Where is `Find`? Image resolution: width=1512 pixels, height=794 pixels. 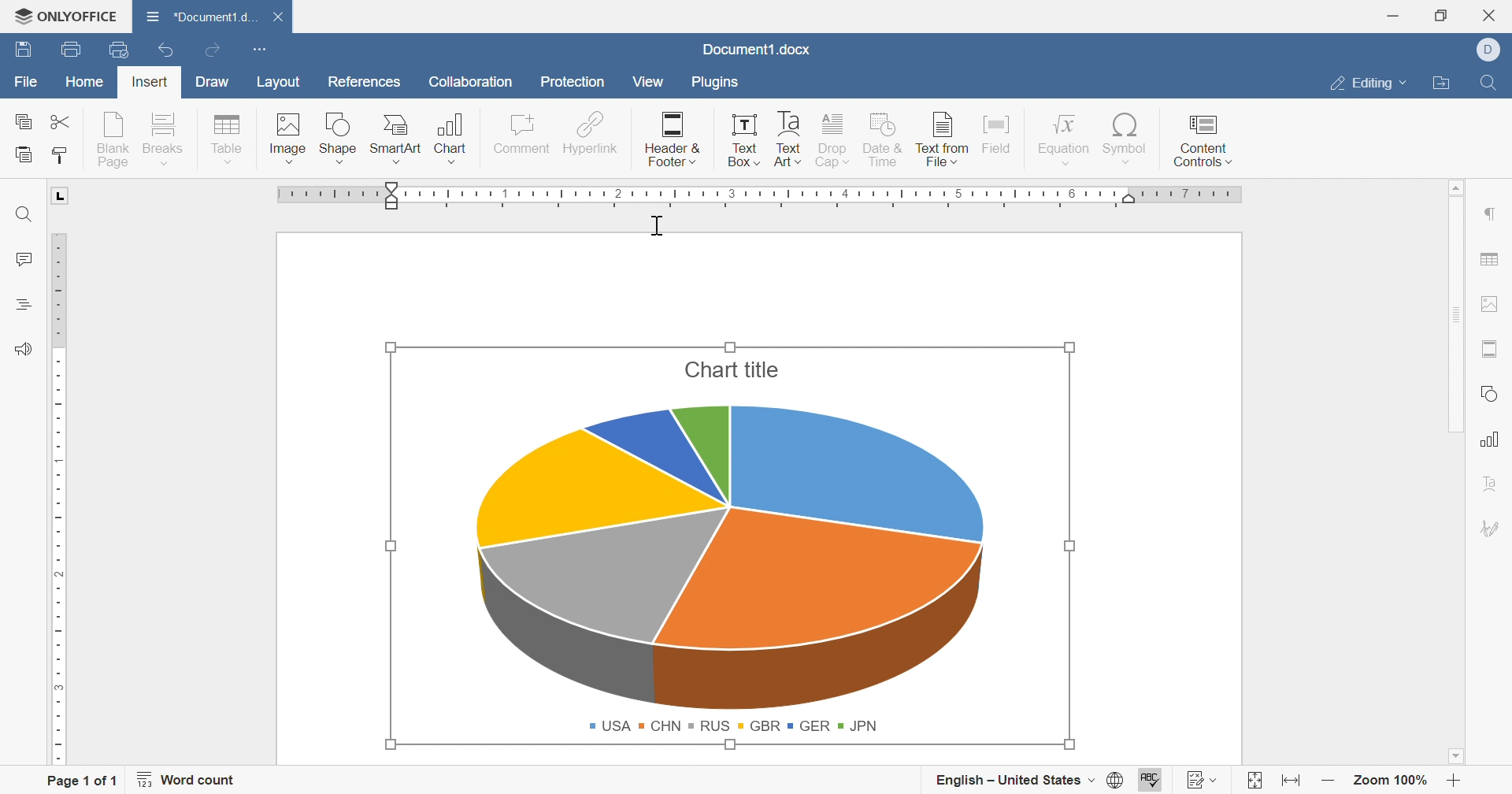 Find is located at coordinates (24, 214).